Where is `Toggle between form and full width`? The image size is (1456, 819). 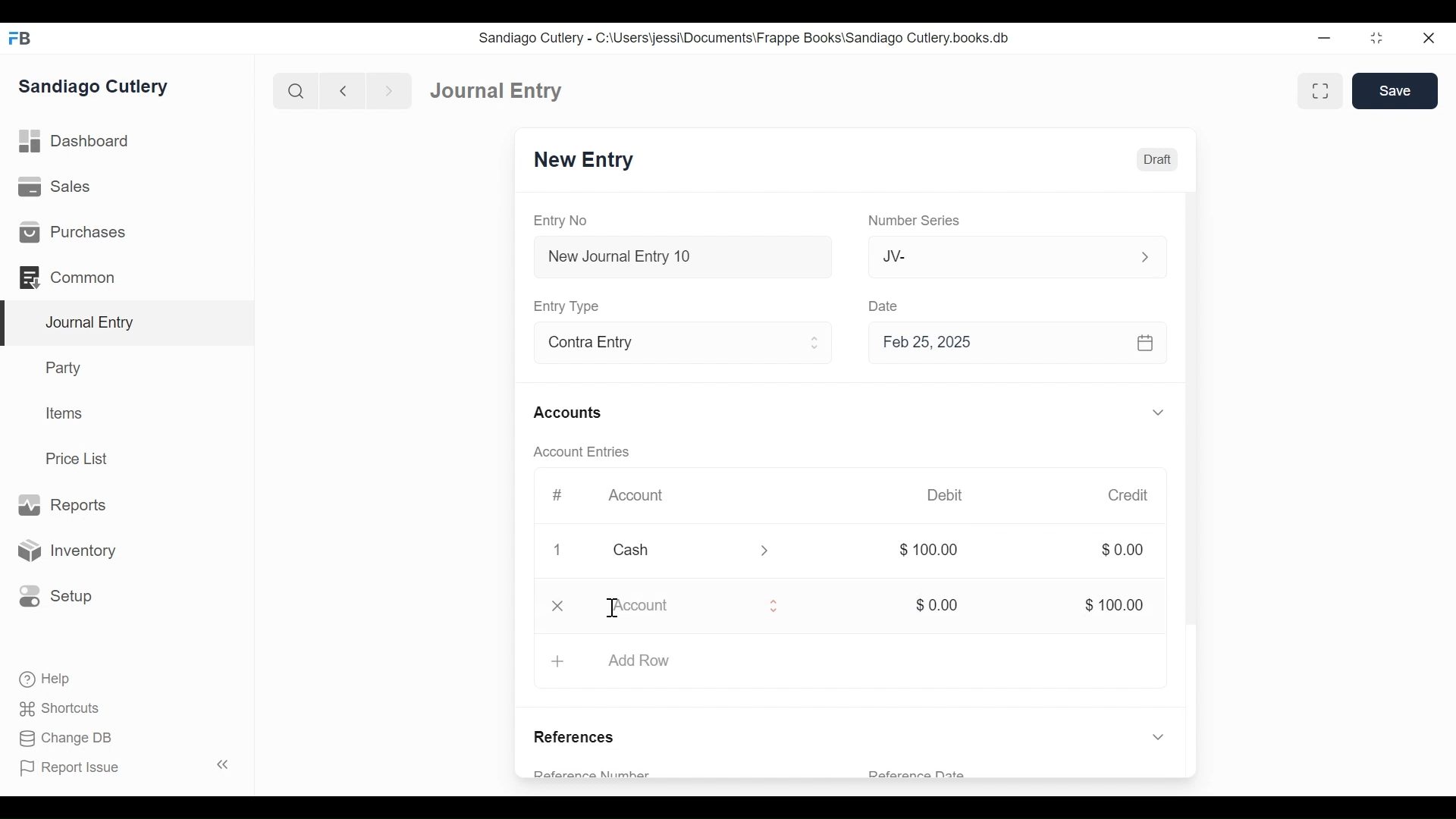 Toggle between form and full width is located at coordinates (1318, 89).